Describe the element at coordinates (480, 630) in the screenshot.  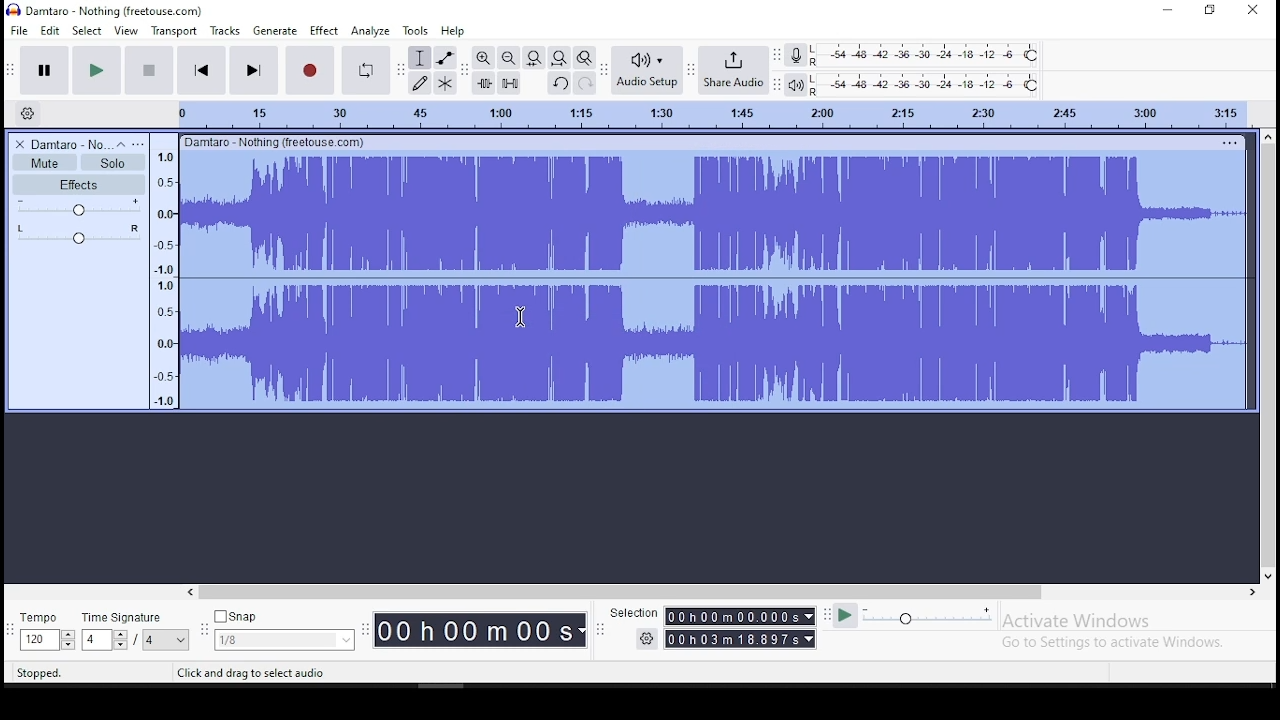
I see `time menu` at that location.